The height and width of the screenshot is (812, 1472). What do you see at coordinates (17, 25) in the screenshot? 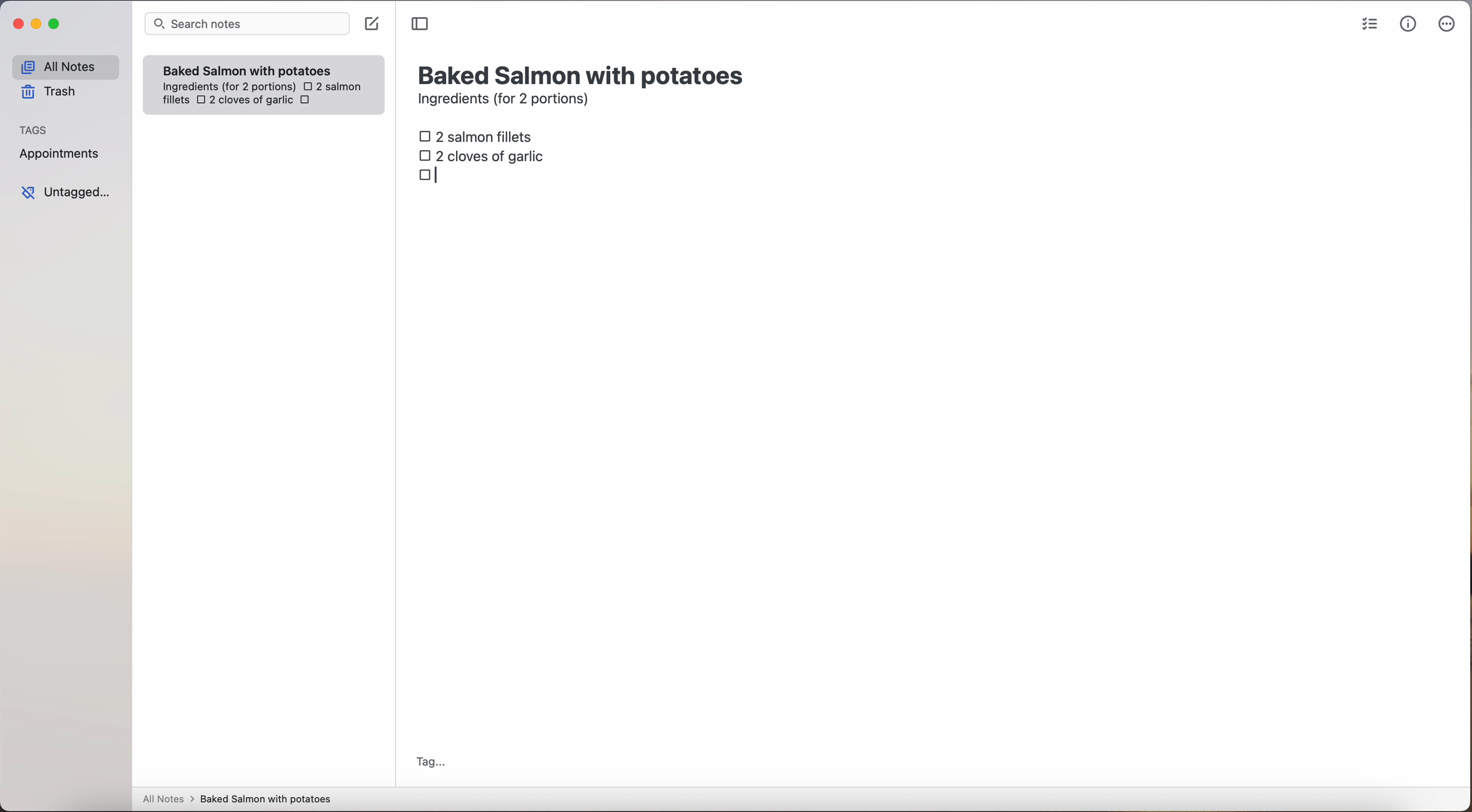
I see `close Simplenote` at bounding box center [17, 25].